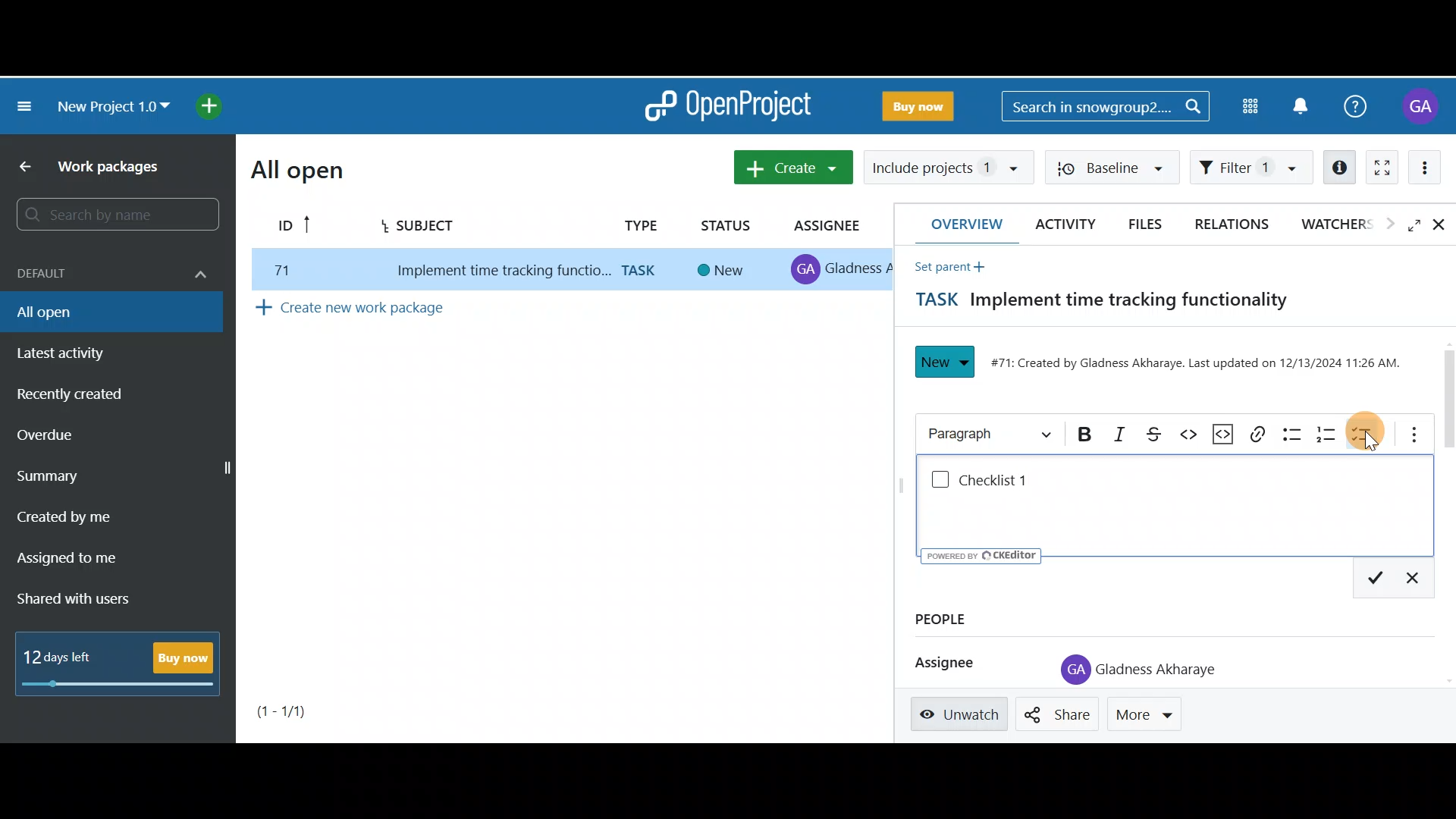 This screenshot has width=1456, height=819. Describe the element at coordinates (726, 106) in the screenshot. I see `OpenProject` at that location.